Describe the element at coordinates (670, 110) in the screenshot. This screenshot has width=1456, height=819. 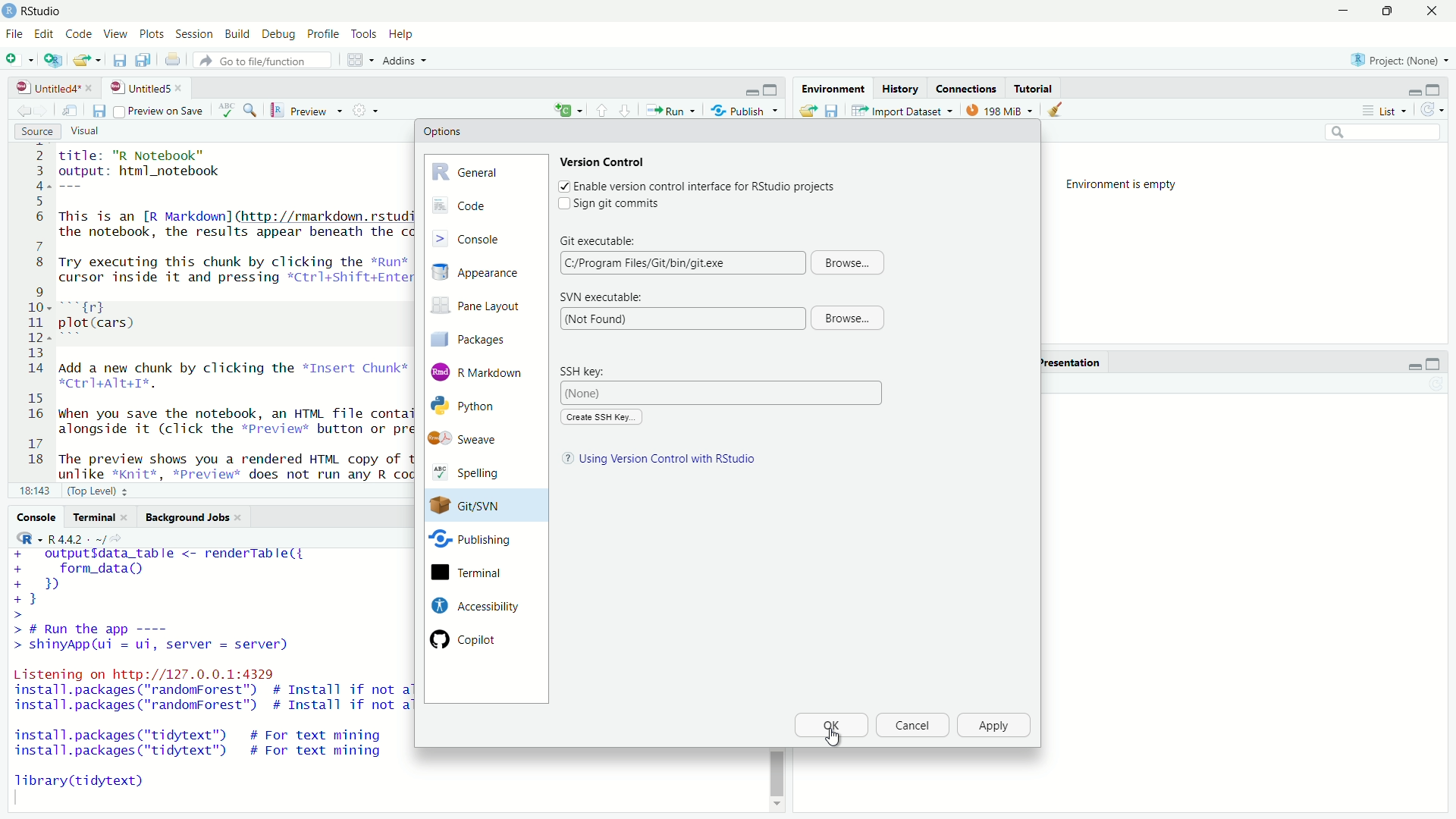
I see `Run` at that location.